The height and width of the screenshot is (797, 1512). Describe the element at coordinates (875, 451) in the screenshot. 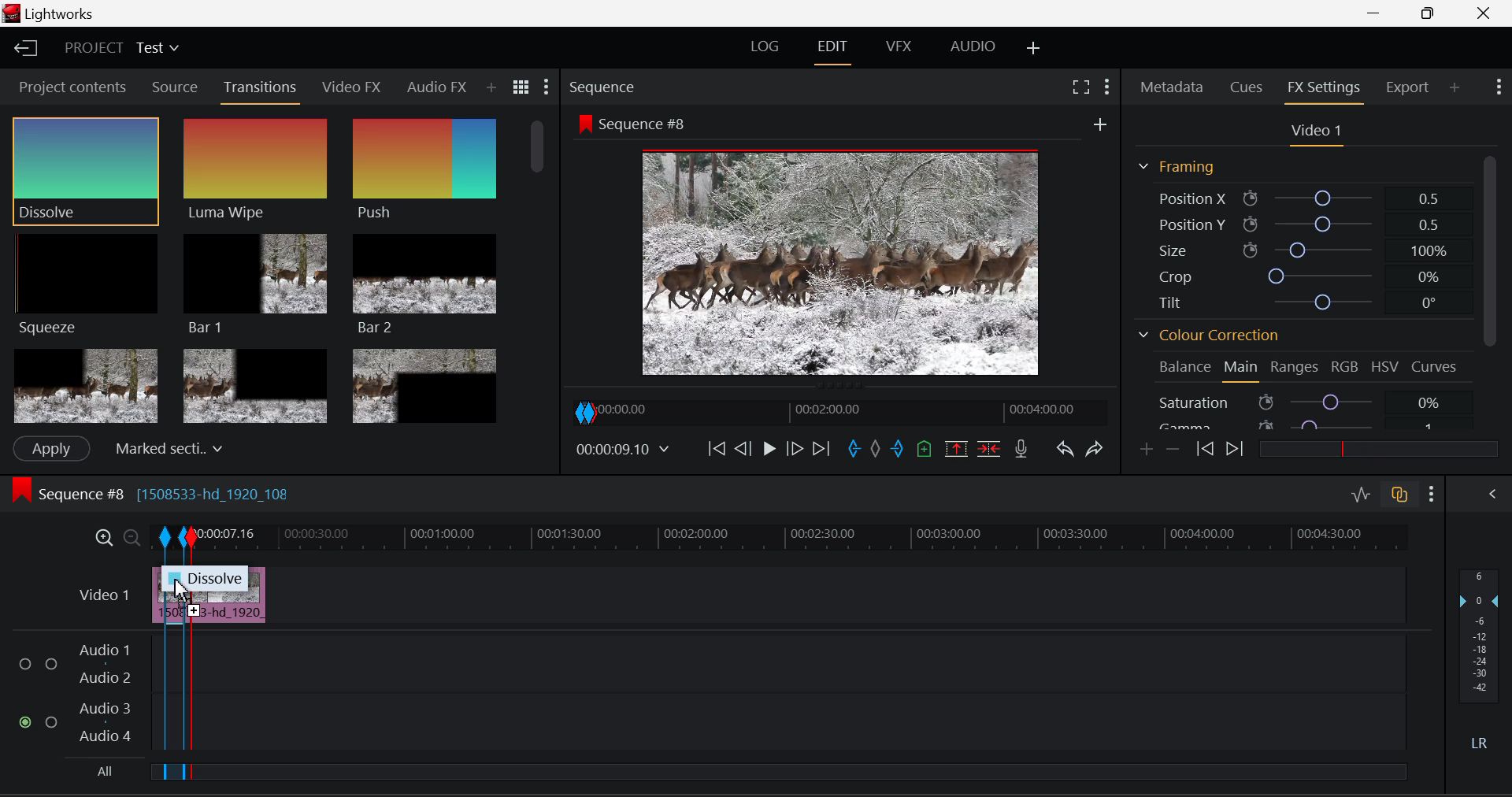

I see `Remove all marks` at that location.